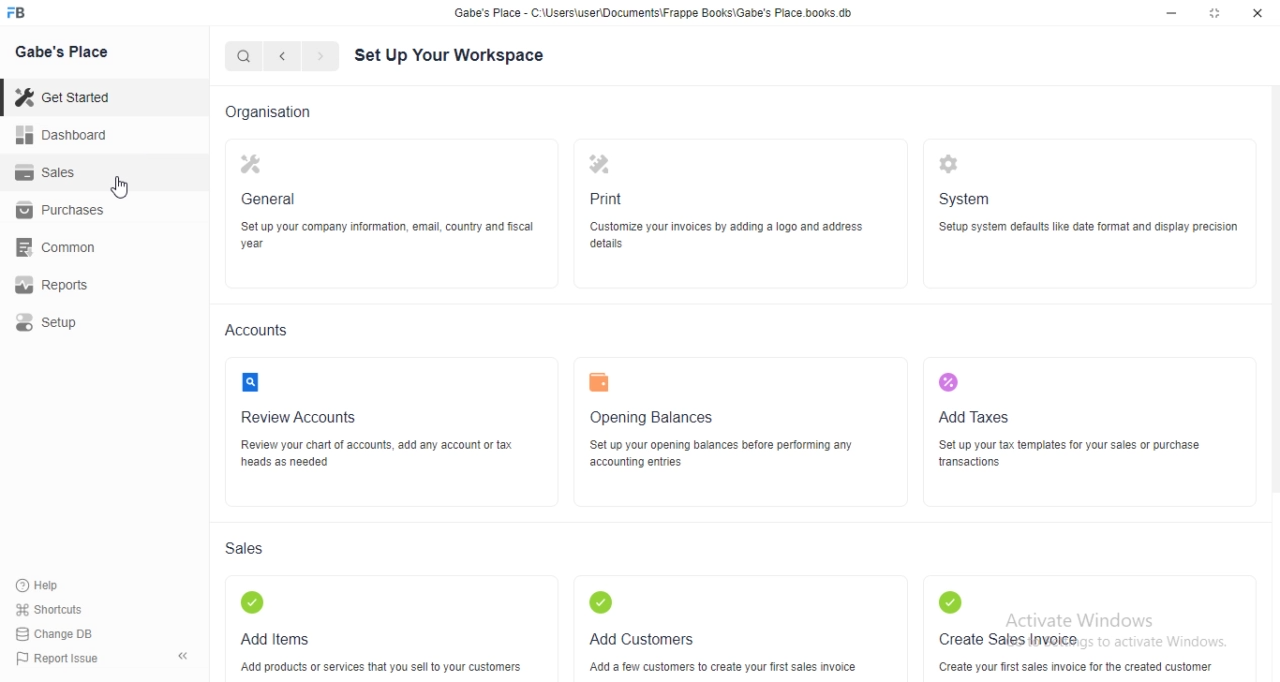  I want to click on Search, so click(249, 56).